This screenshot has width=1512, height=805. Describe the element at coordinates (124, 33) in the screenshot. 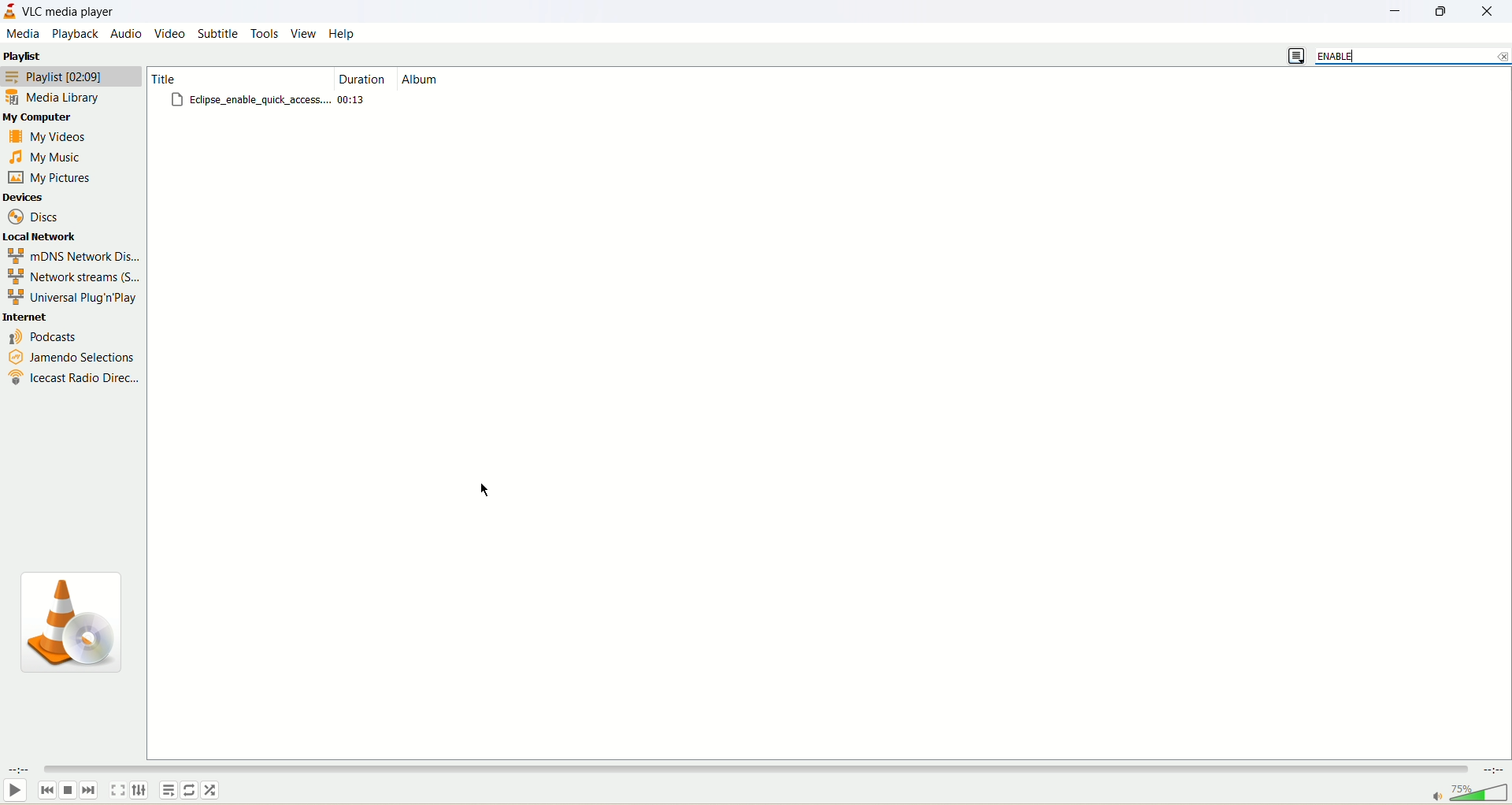

I see `audio` at that location.